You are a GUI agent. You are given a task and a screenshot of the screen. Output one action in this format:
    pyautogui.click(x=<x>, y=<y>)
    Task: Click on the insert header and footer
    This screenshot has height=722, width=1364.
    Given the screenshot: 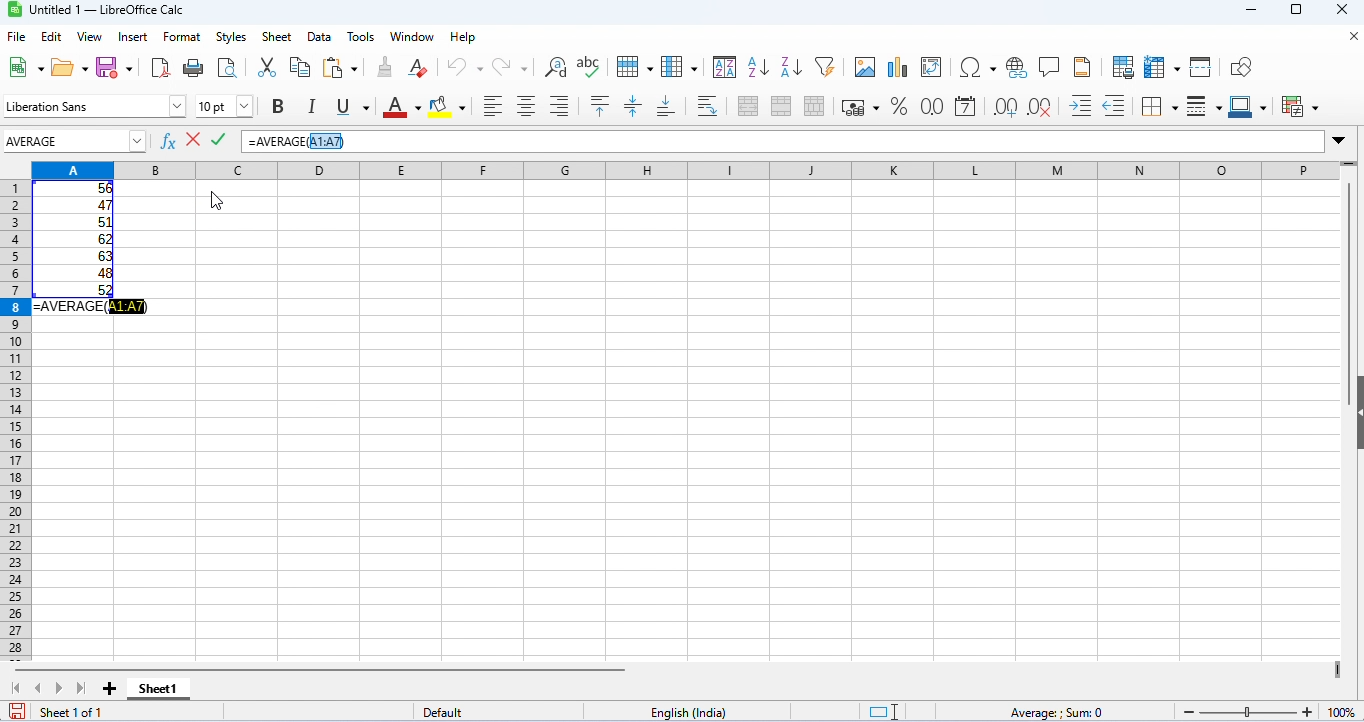 What is the action you would take?
    pyautogui.click(x=1082, y=67)
    